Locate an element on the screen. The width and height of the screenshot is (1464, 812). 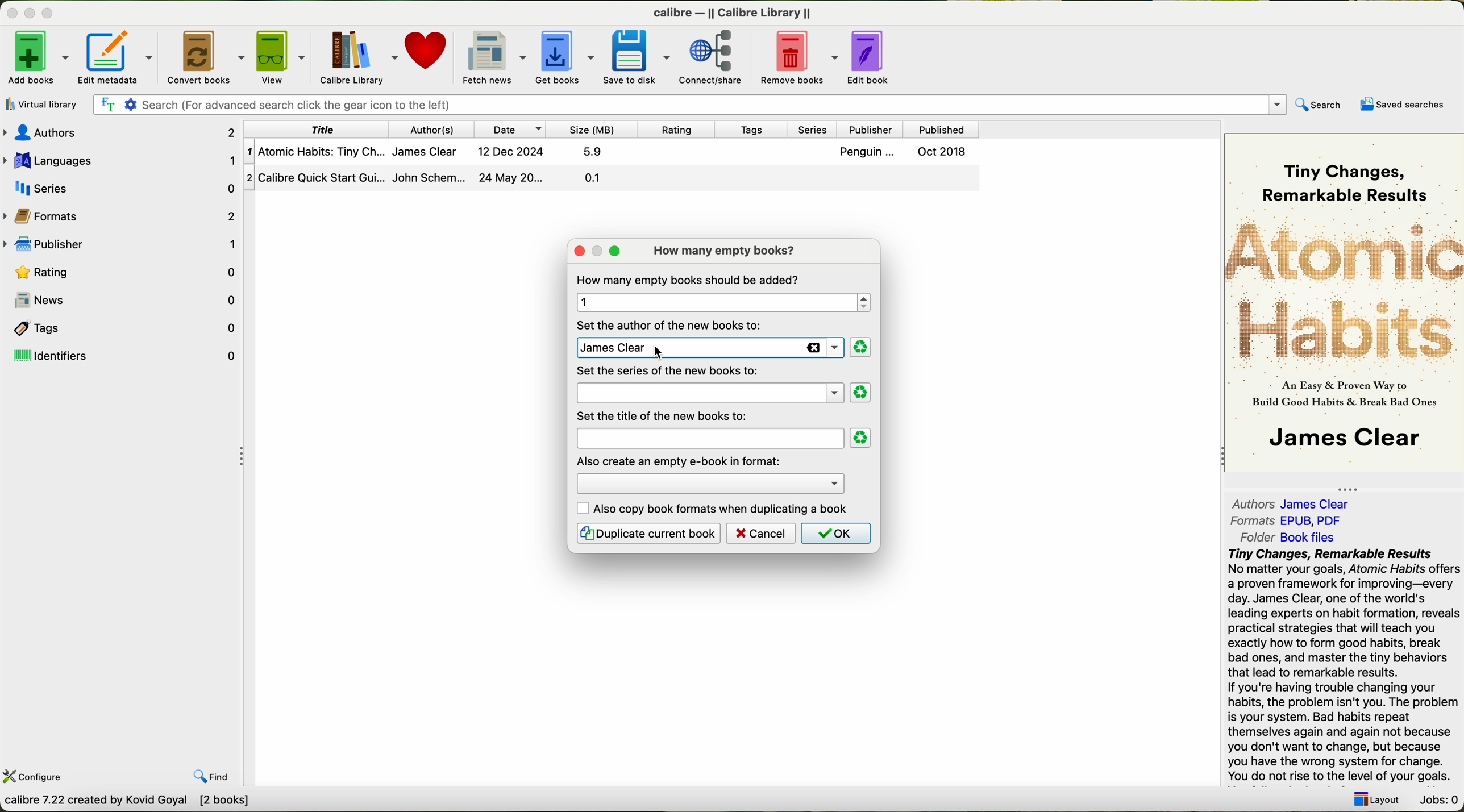
tags is located at coordinates (121, 327).